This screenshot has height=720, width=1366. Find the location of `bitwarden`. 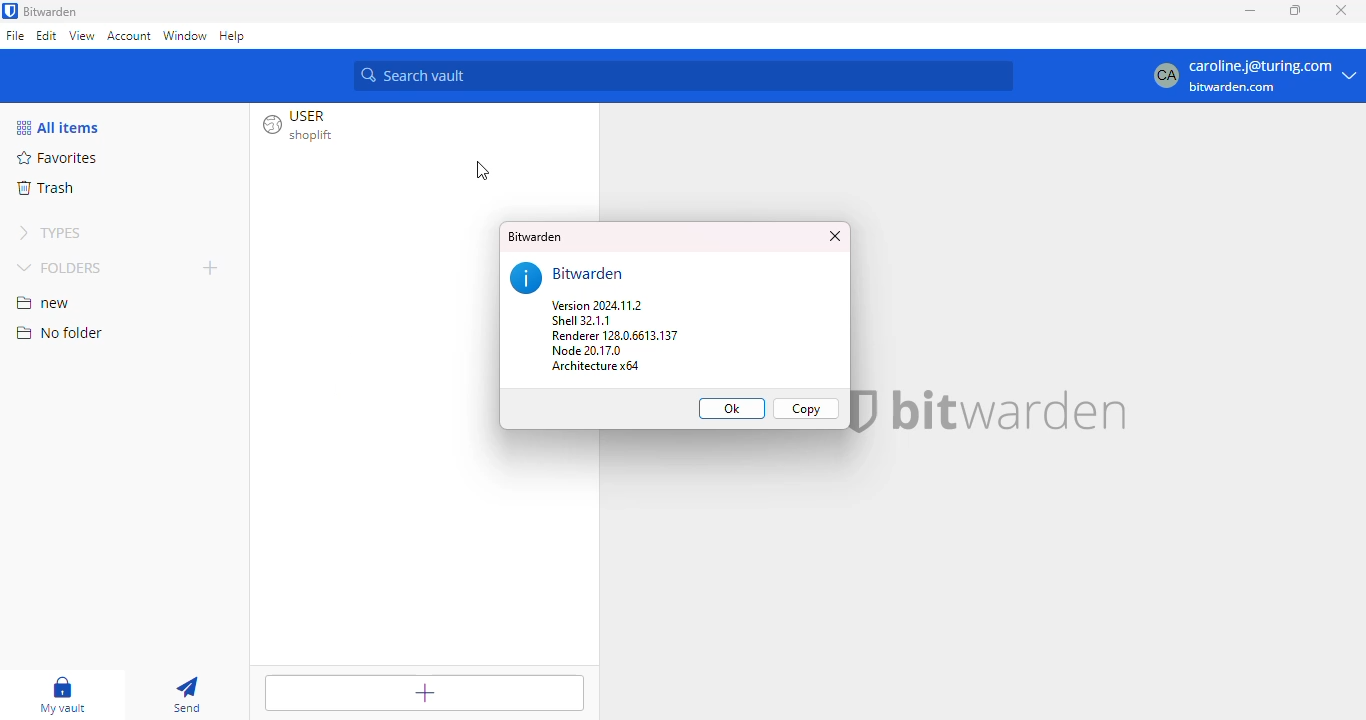

bitwarden is located at coordinates (52, 11).